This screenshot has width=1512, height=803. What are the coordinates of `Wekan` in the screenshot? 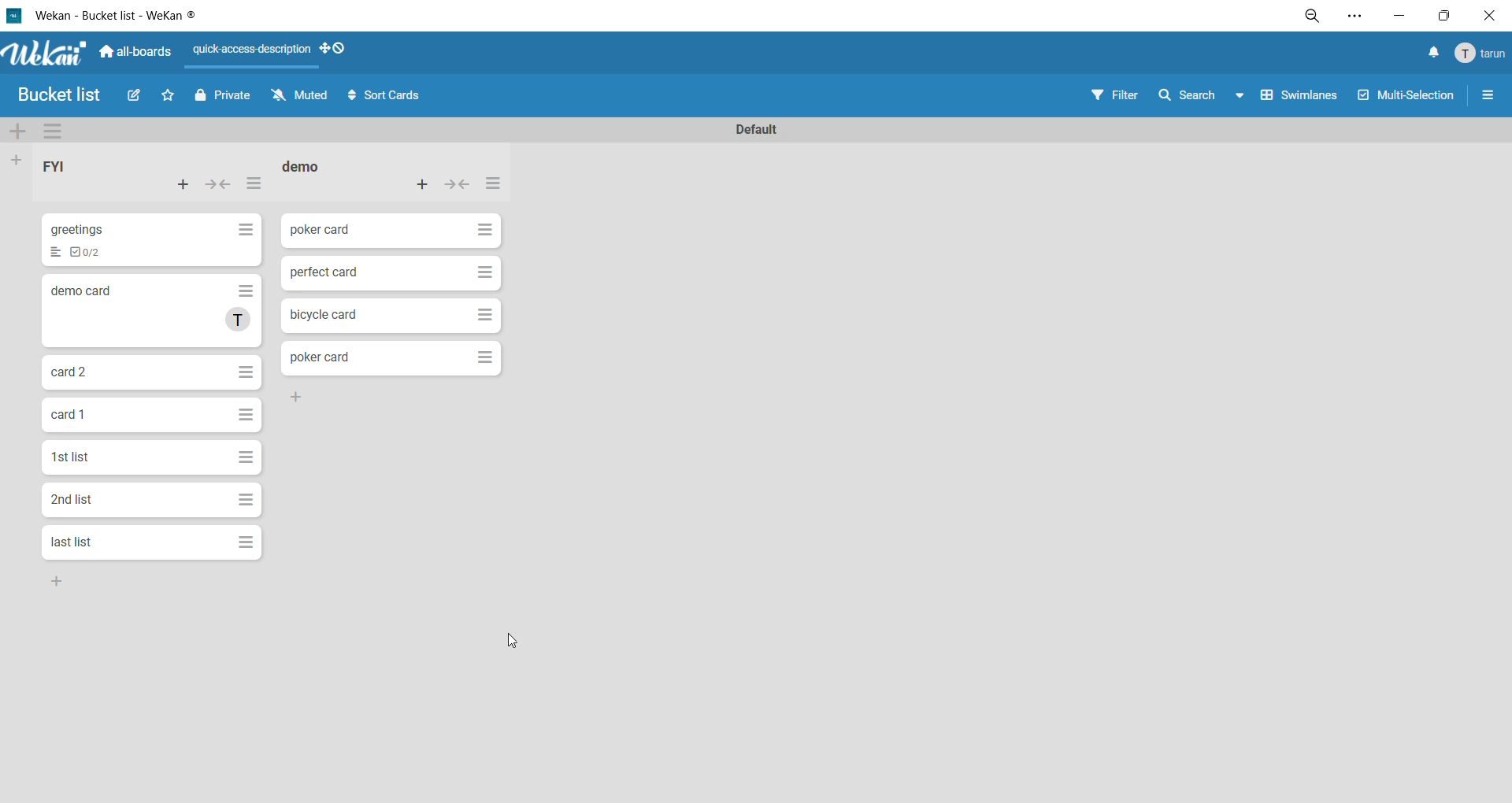 It's located at (42, 51).